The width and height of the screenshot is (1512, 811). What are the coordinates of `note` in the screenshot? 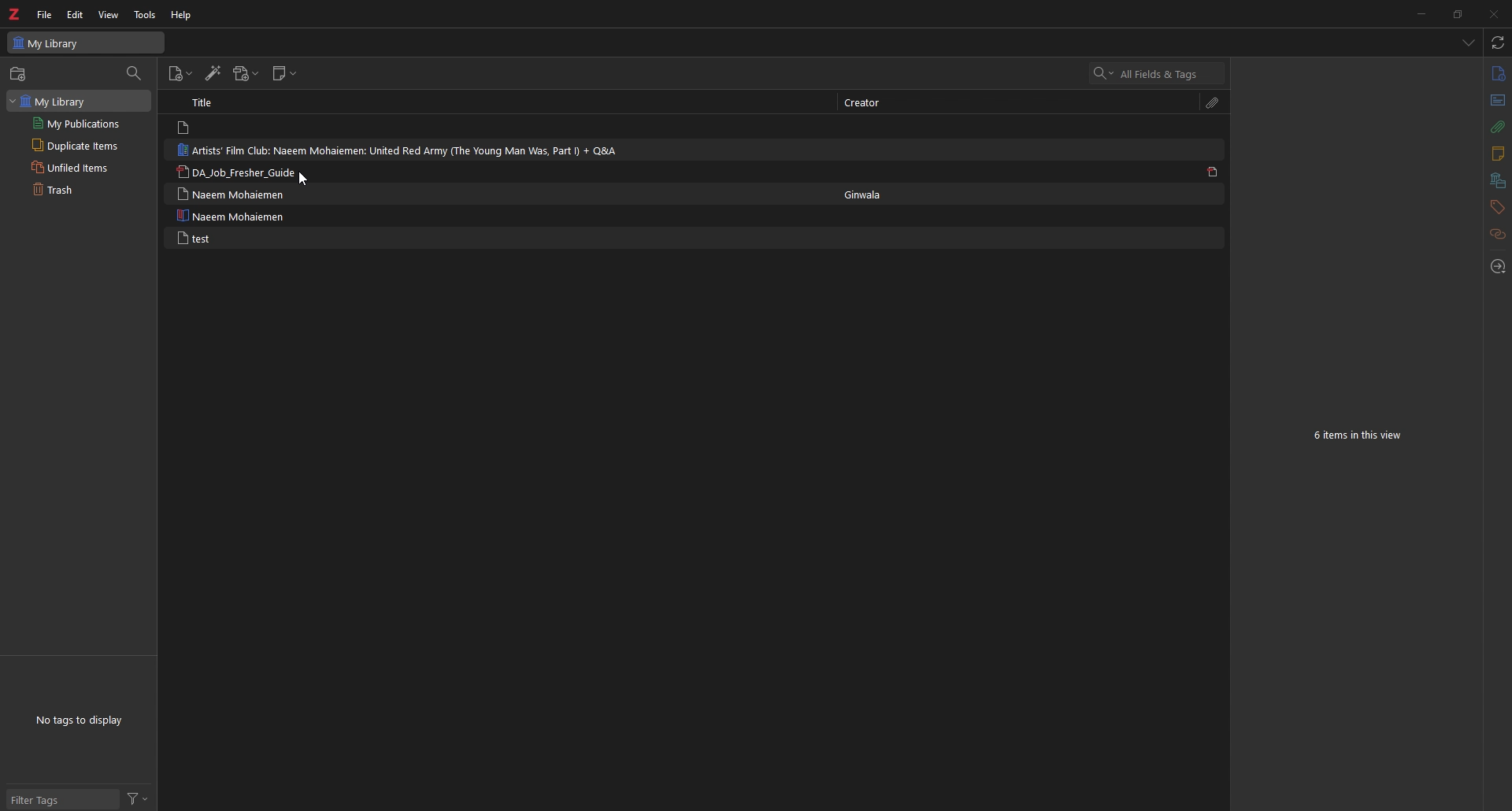 It's located at (249, 237).